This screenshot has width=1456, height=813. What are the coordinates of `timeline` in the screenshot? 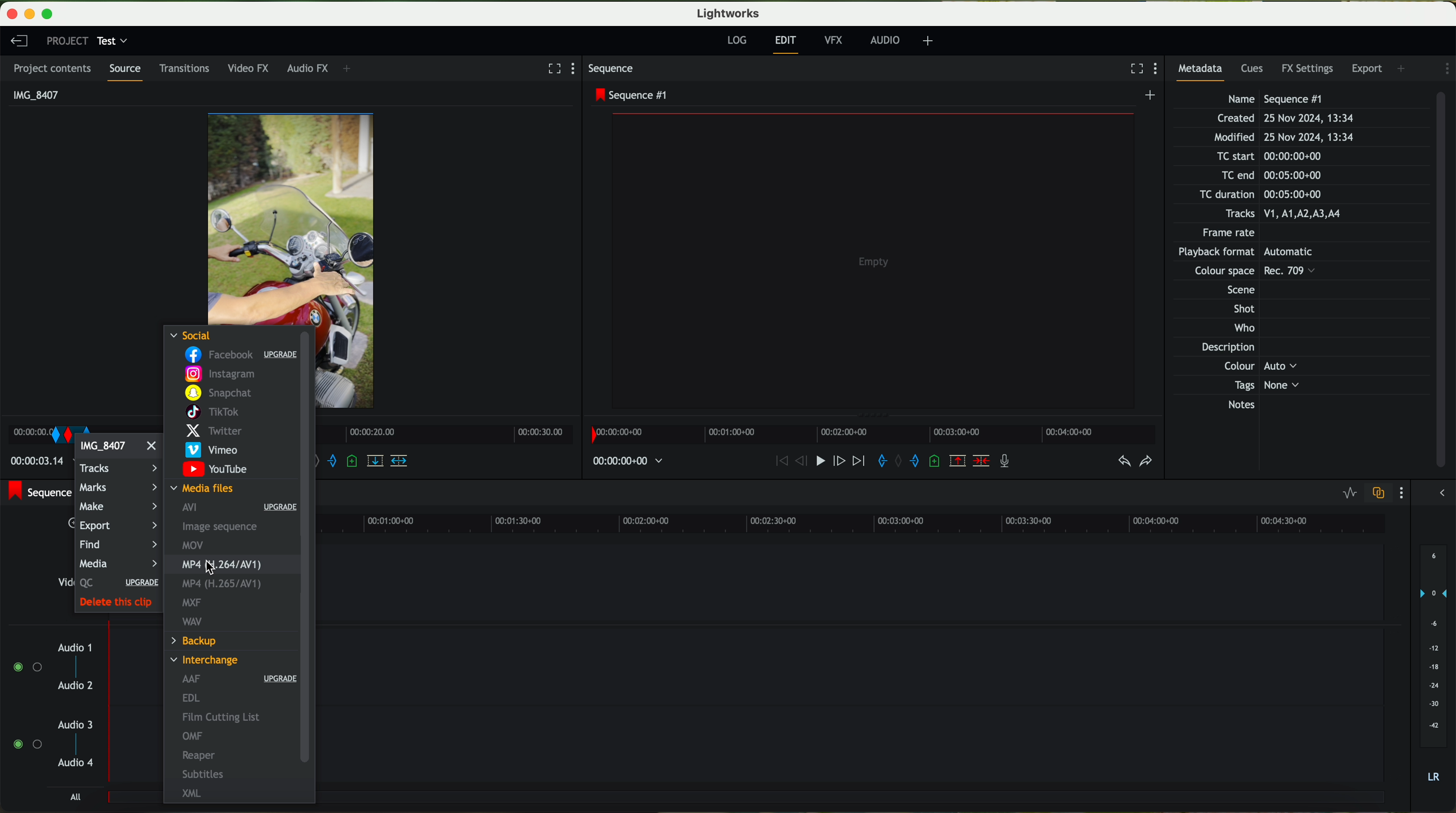 It's located at (855, 521).